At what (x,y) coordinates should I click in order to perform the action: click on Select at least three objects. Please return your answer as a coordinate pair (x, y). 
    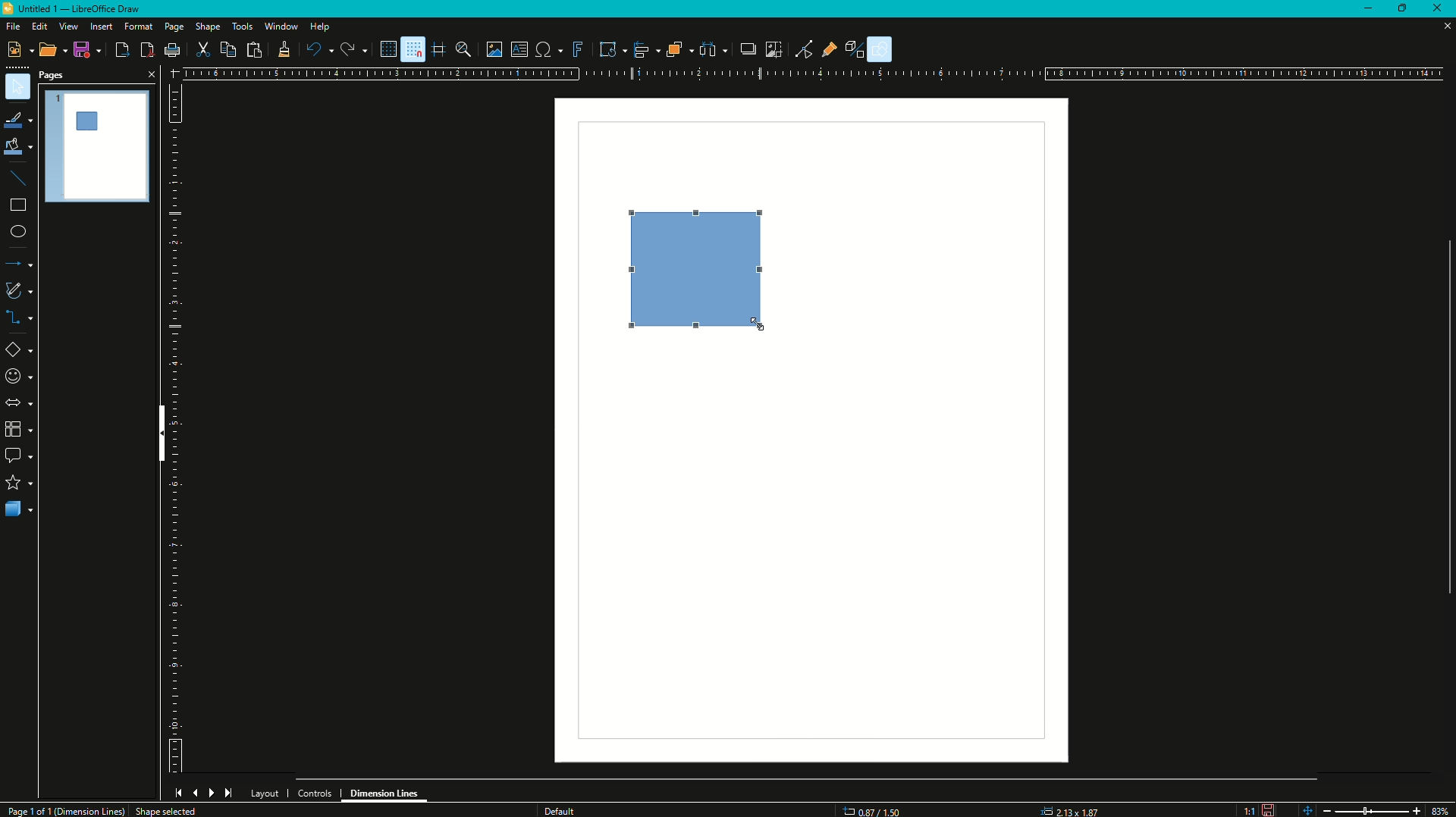
    Looking at the image, I should click on (713, 48).